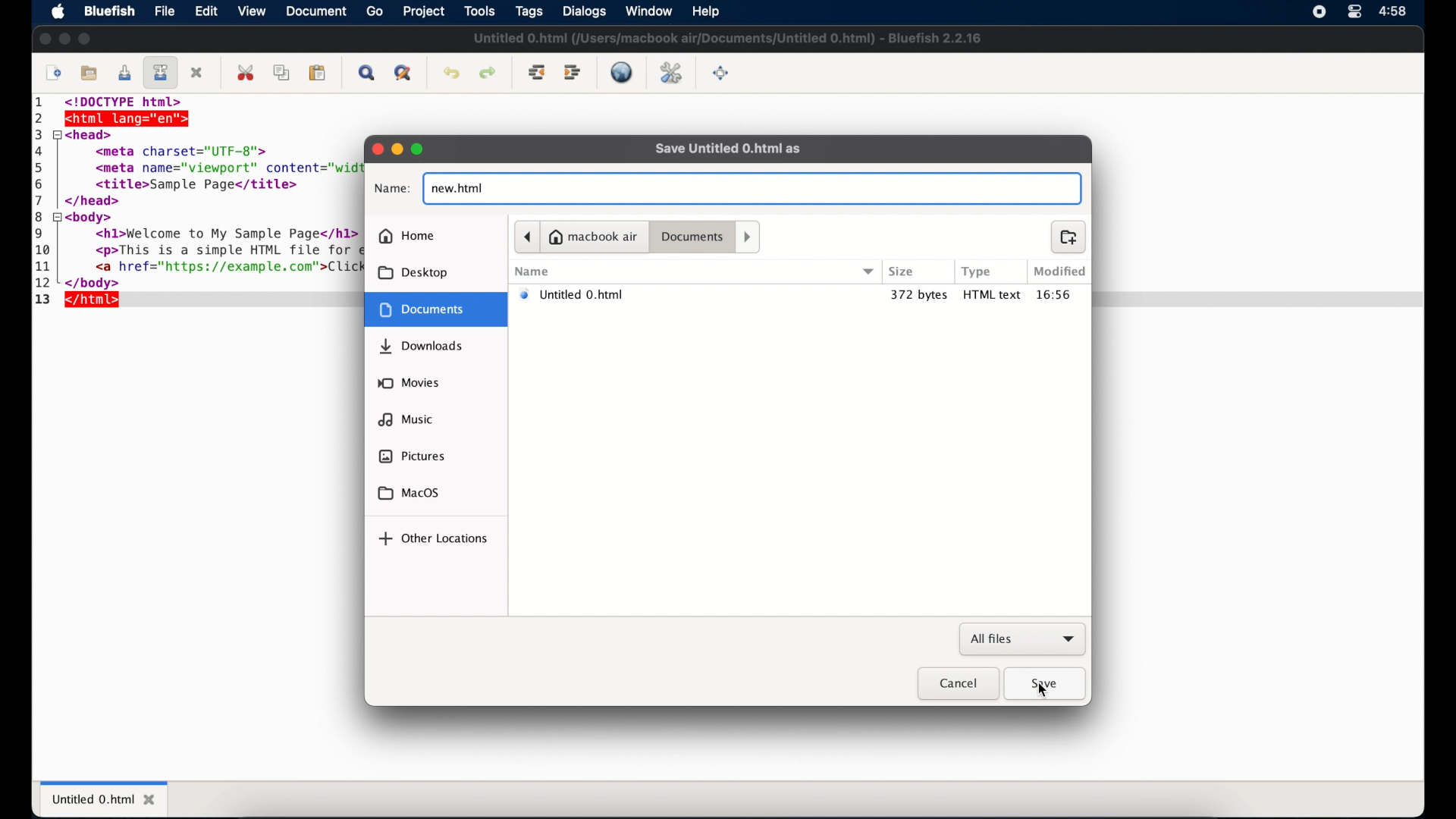  What do you see at coordinates (90, 74) in the screenshot?
I see `open` at bounding box center [90, 74].